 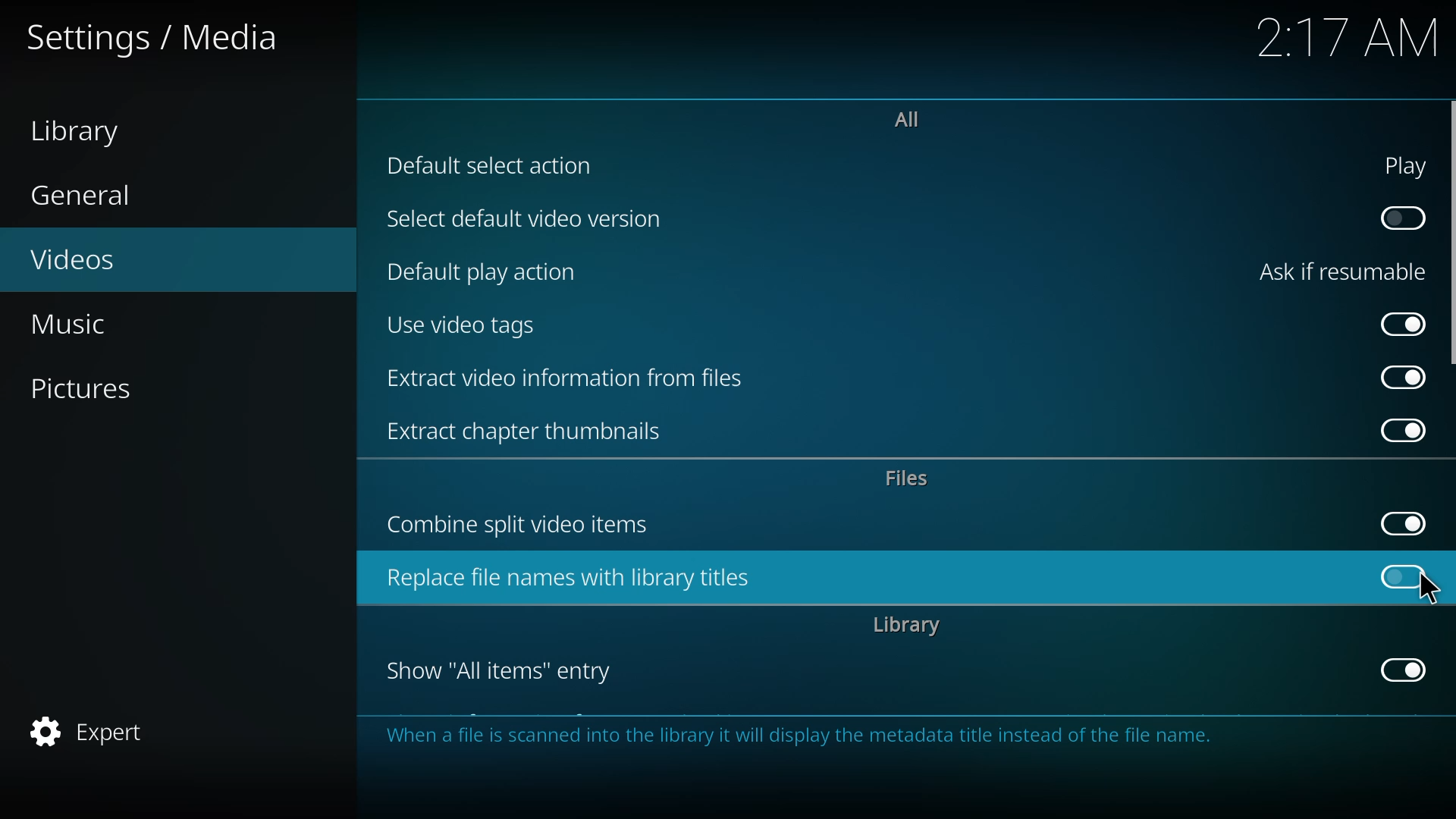 What do you see at coordinates (504, 672) in the screenshot?
I see `show all items entry` at bounding box center [504, 672].